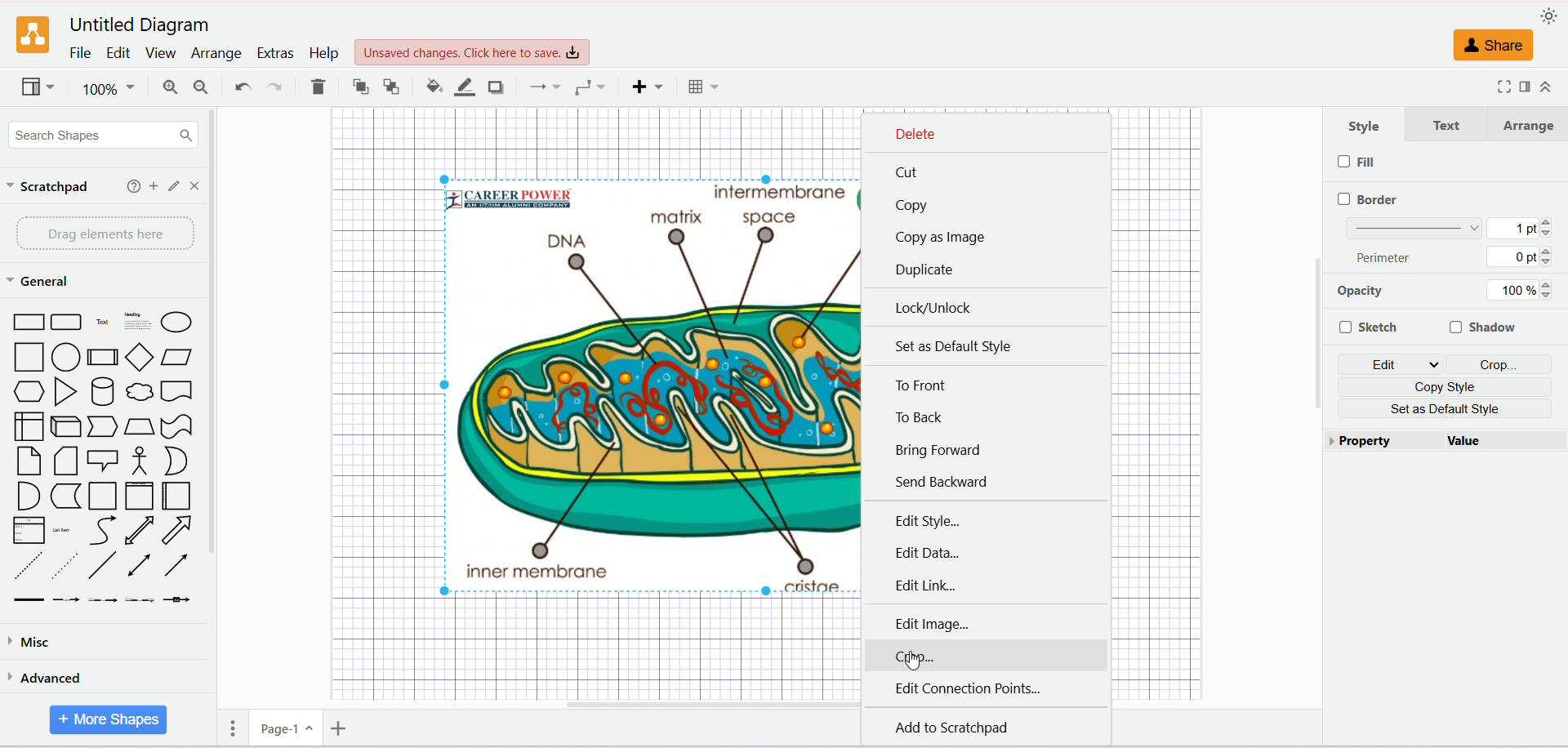  Describe the element at coordinates (33, 643) in the screenshot. I see `misca` at that location.